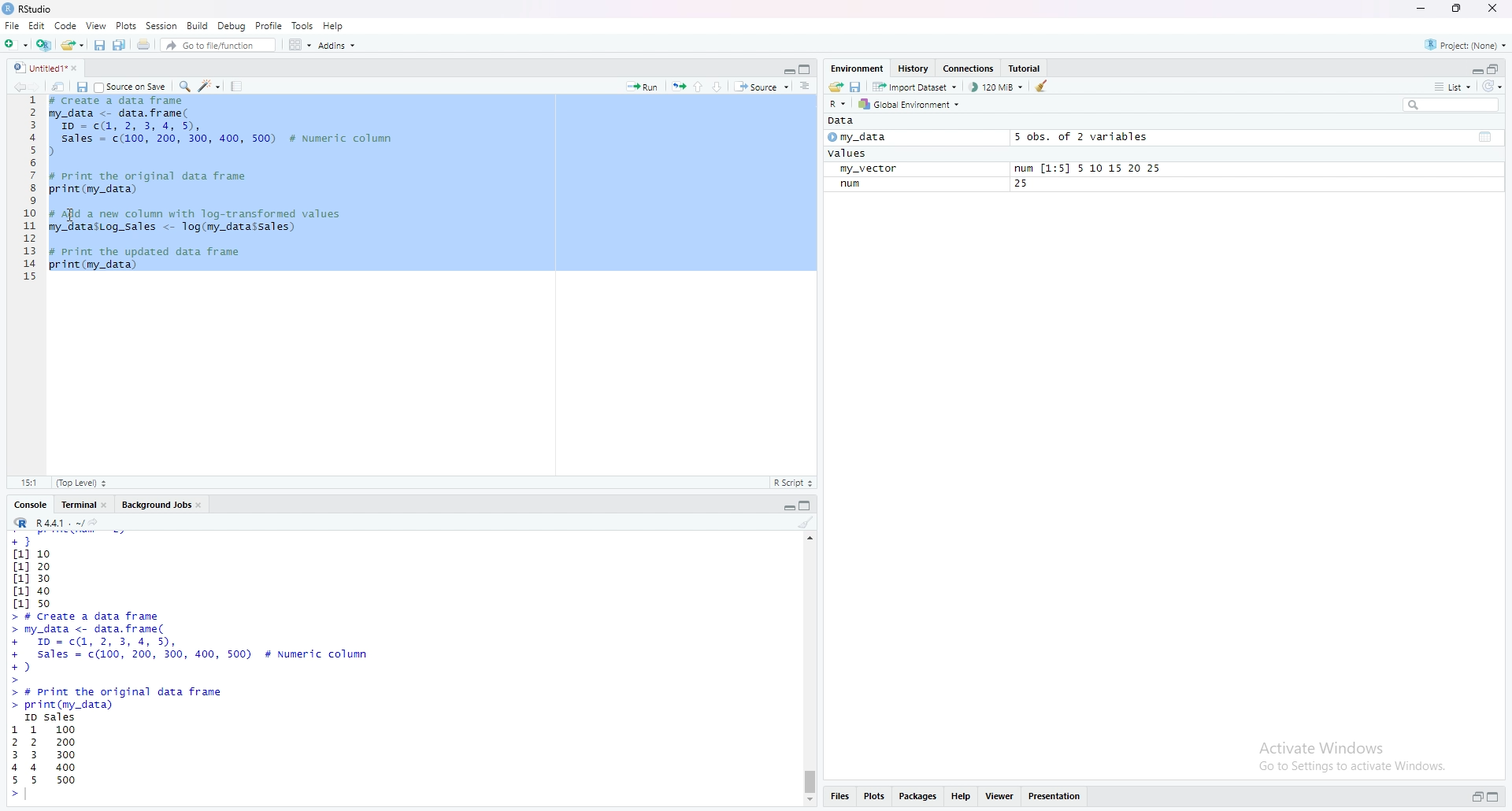 This screenshot has width=1512, height=811. What do you see at coordinates (1449, 89) in the screenshot?
I see `list` at bounding box center [1449, 89].